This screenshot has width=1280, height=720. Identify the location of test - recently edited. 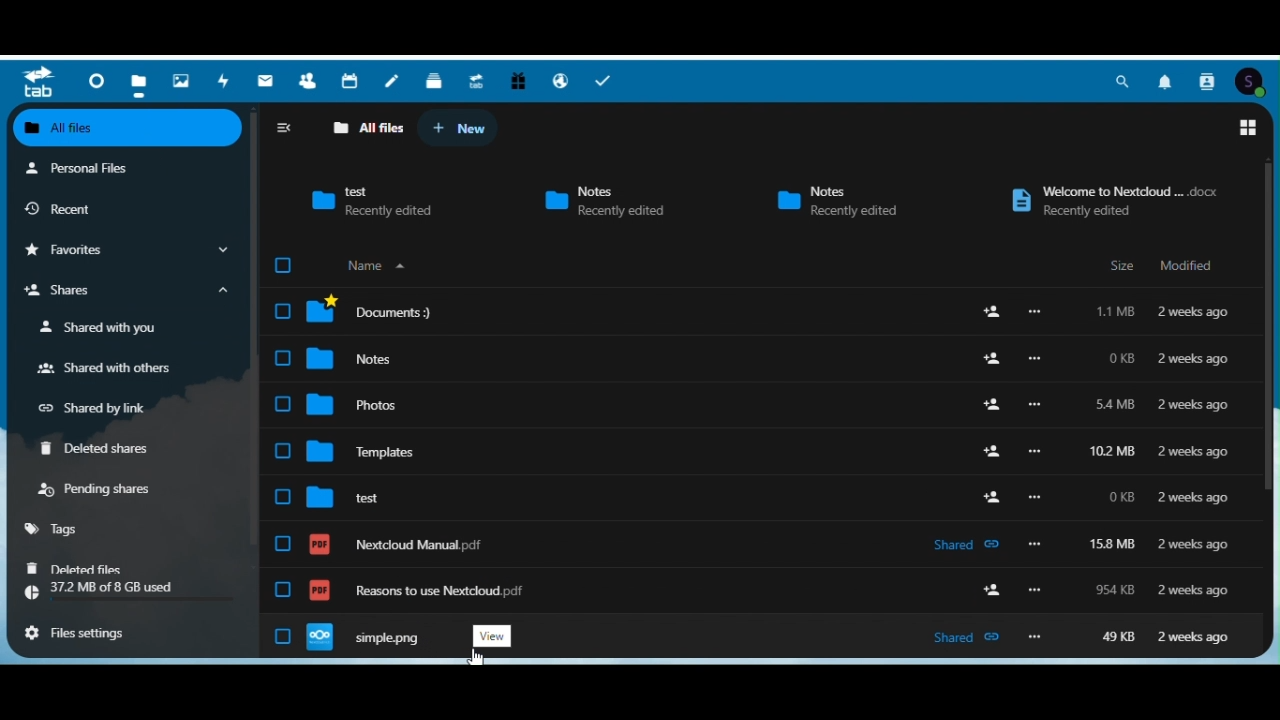
(371, 197).